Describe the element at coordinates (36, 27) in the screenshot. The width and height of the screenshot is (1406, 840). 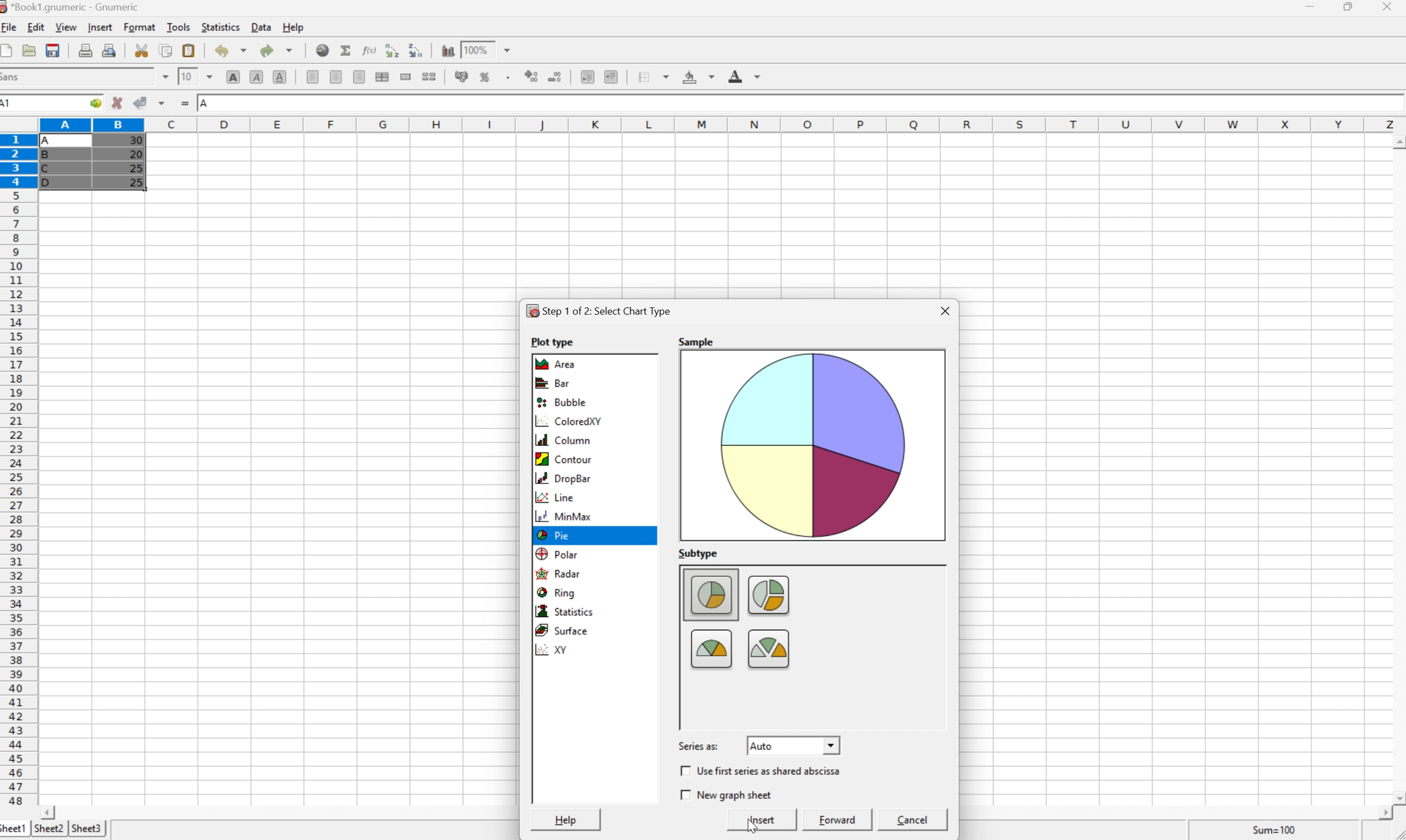
I see `Edit` at that location.